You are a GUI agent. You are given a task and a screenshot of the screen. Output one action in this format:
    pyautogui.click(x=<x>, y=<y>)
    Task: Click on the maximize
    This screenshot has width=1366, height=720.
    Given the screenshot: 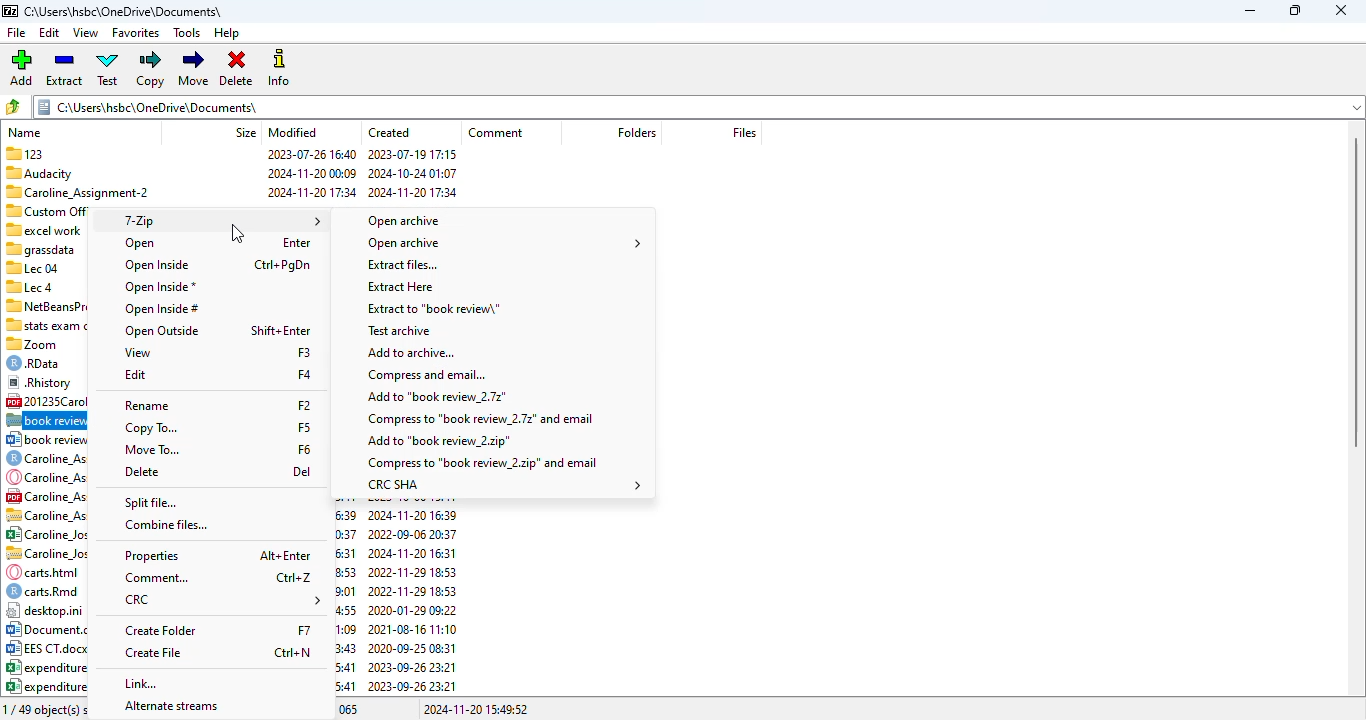 What is the action you would take?
    pyautogui.click(x=1294, y=11)
    